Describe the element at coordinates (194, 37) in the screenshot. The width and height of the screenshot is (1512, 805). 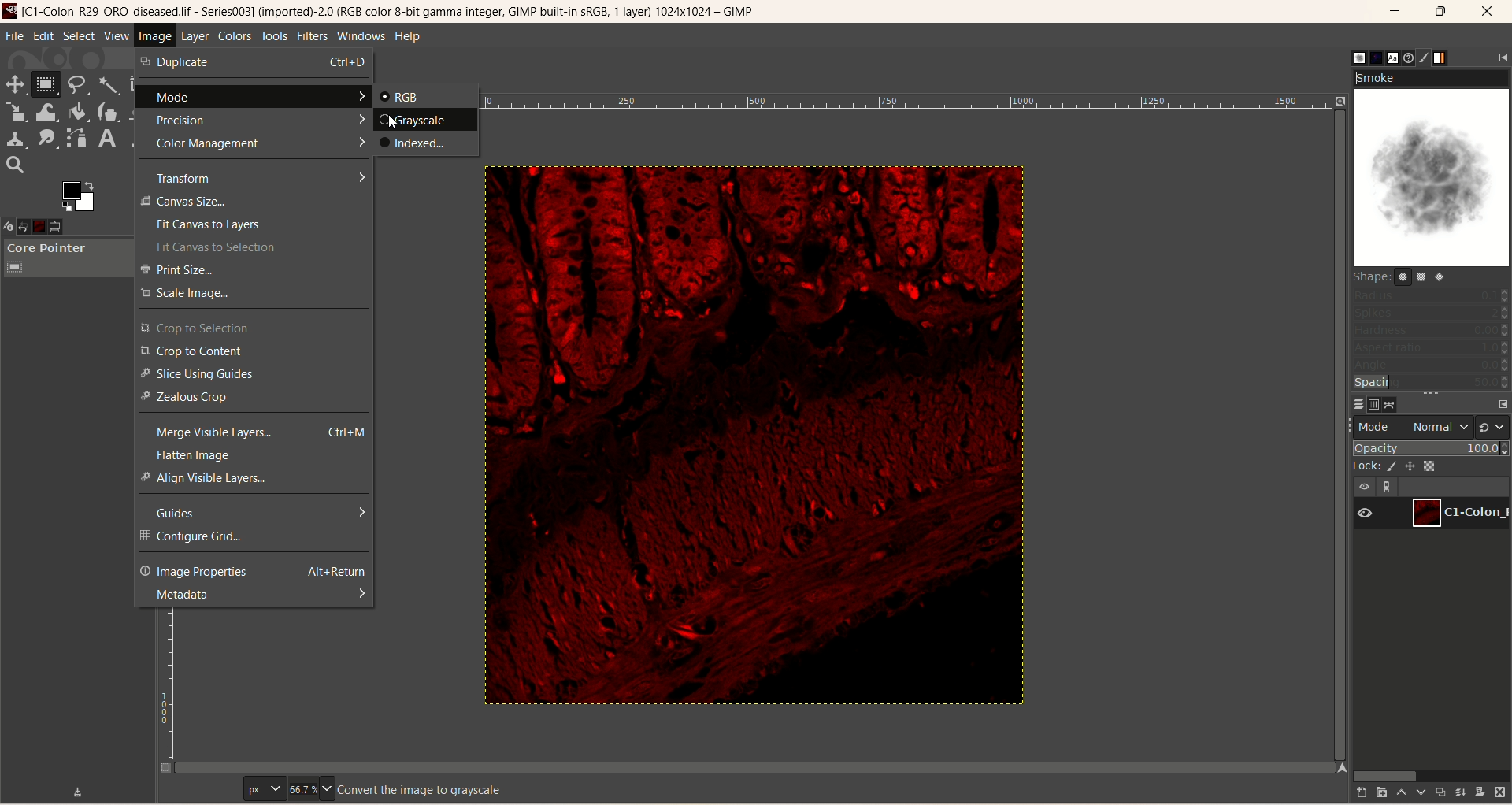
I see `layer` at that location.